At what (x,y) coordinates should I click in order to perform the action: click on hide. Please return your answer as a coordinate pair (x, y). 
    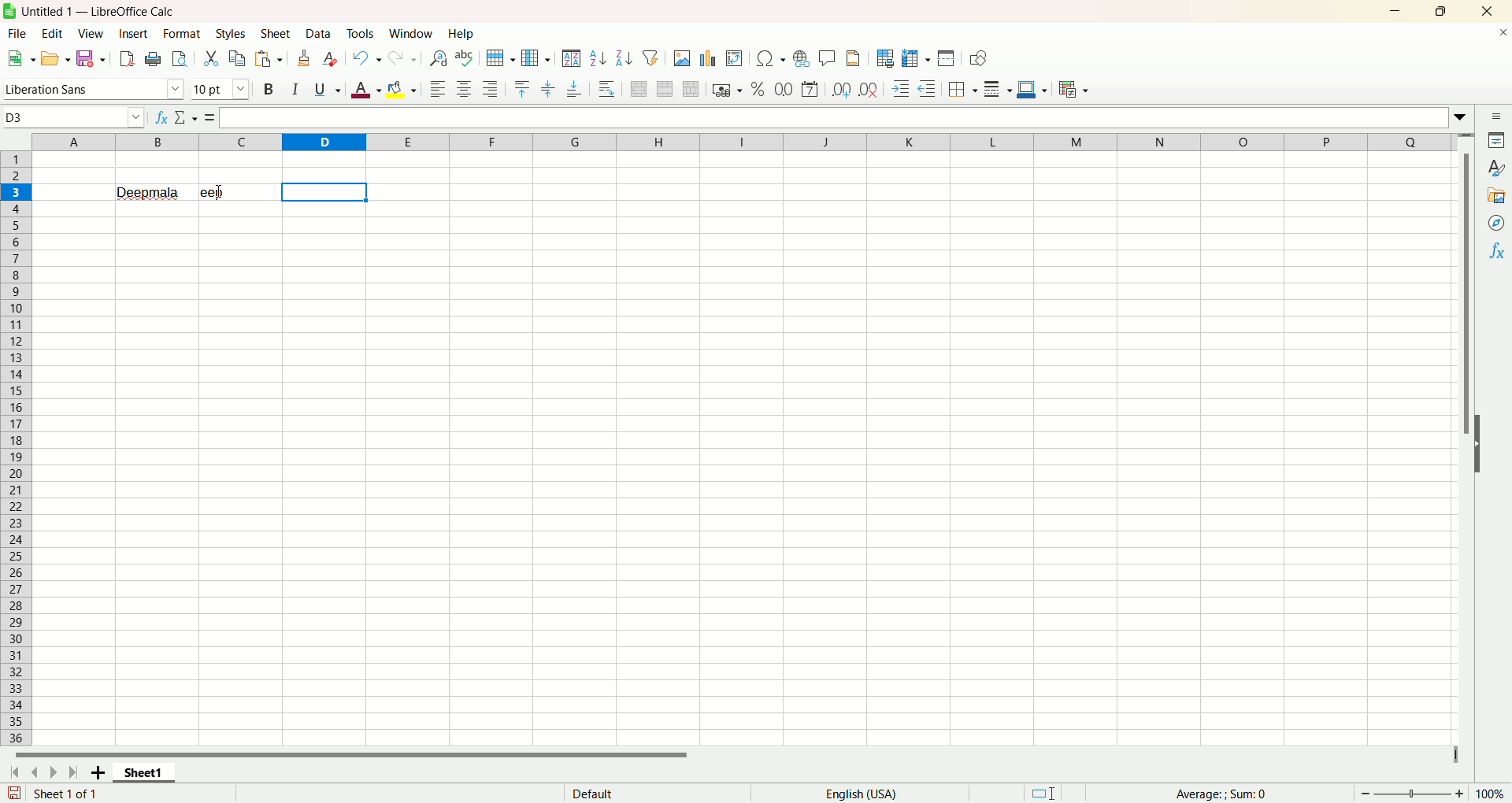
    Looking at the image, I should click on (1480, 455).